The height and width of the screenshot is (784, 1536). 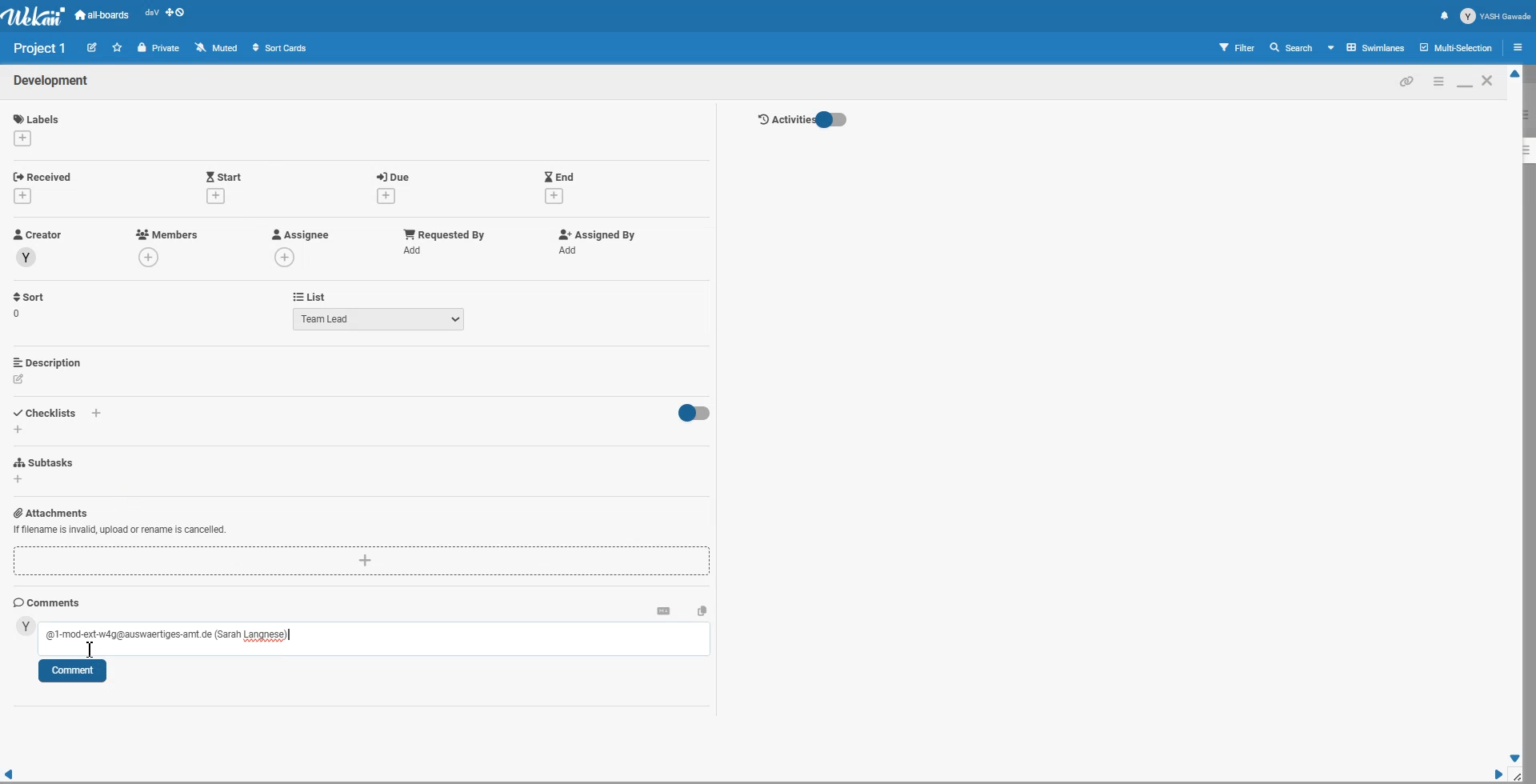 What do you see at coordinates (594, 234) in the screenshot?
I see `Add Assigned By` at bounding box center [594, 234].